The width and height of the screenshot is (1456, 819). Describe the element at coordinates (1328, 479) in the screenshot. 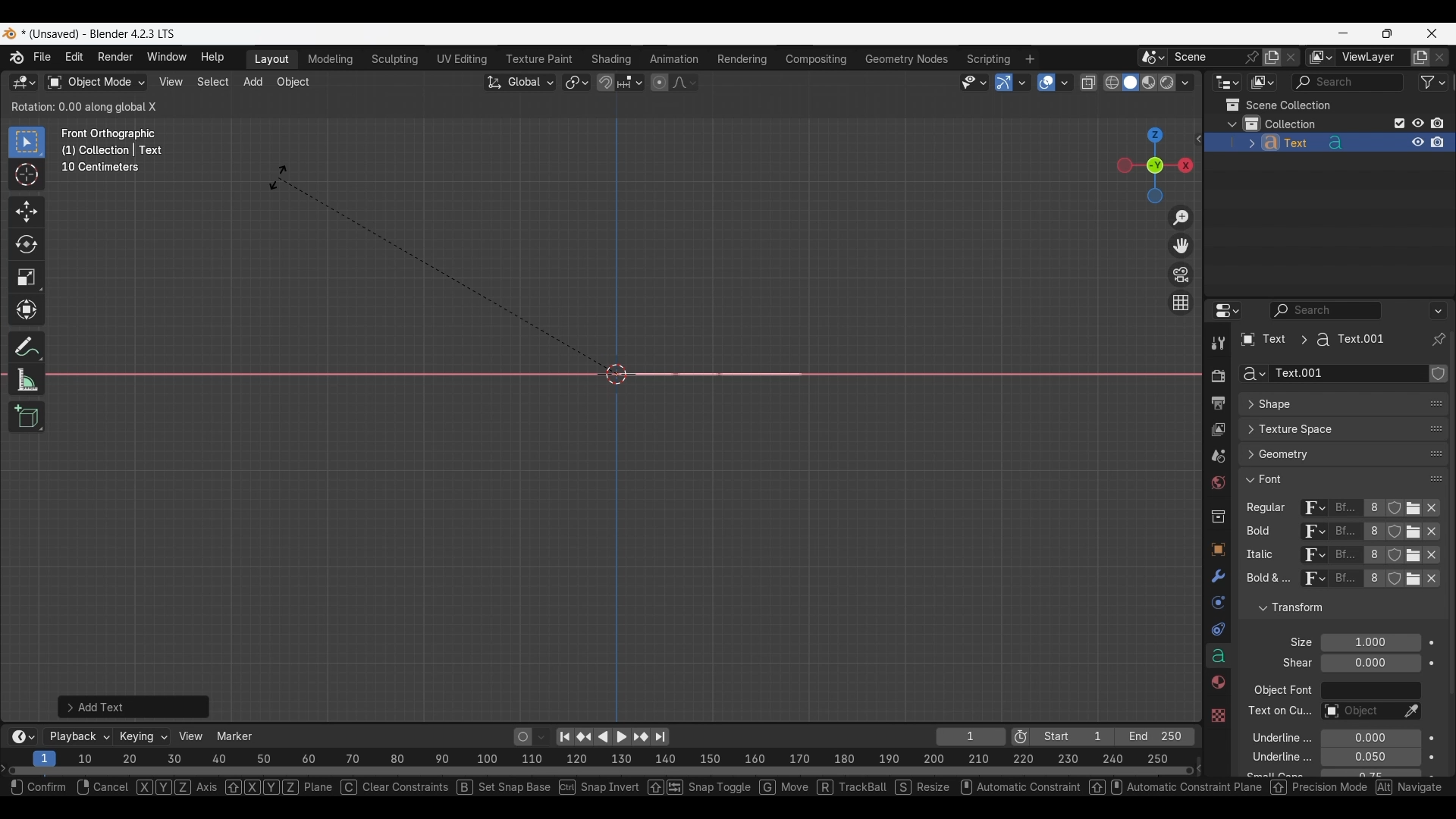

I see `Click to collapse Font` at that location.